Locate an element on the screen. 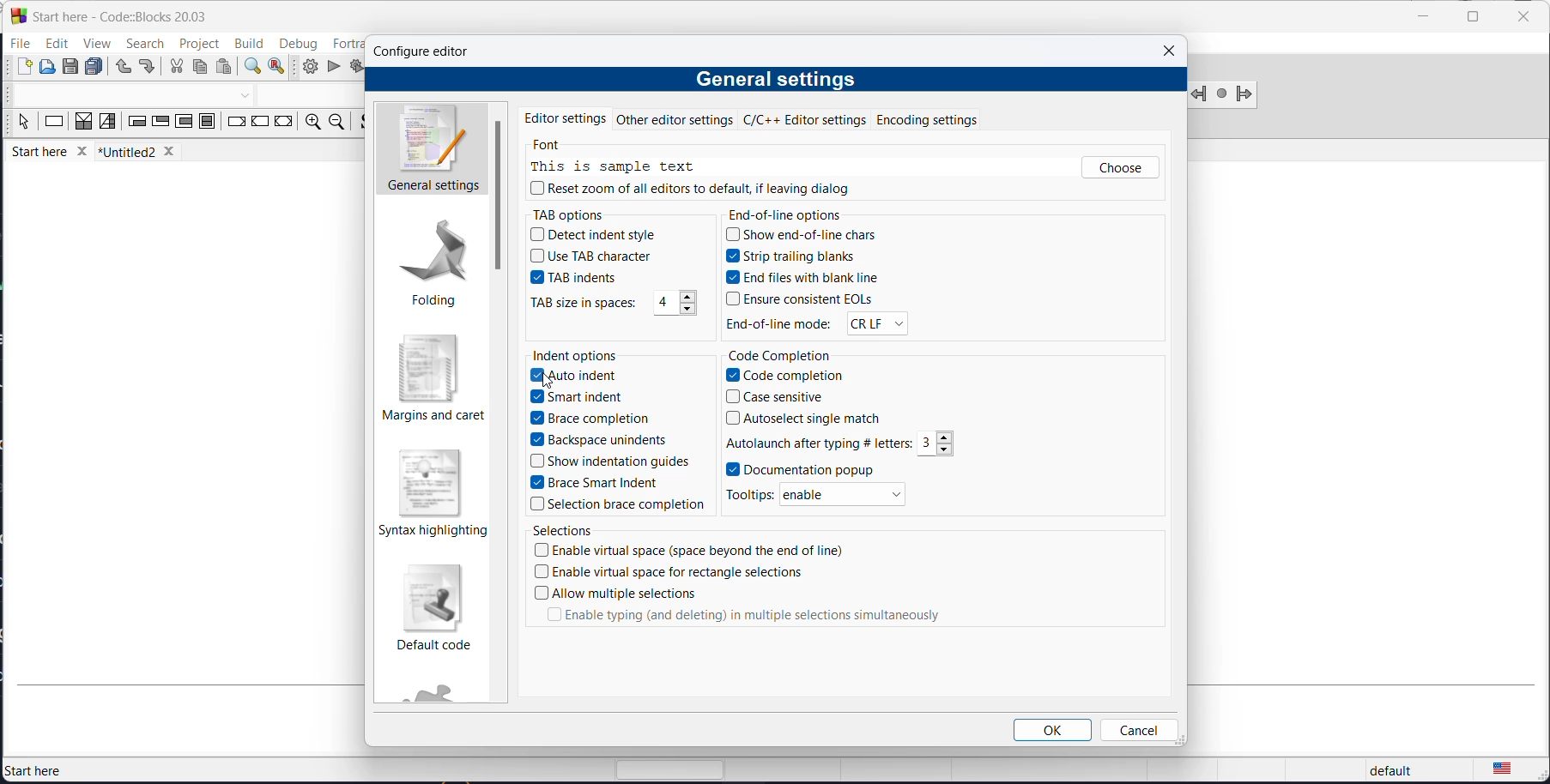 The image size is (1550, 784). case sensitive  is located at coordinates (784, 396).